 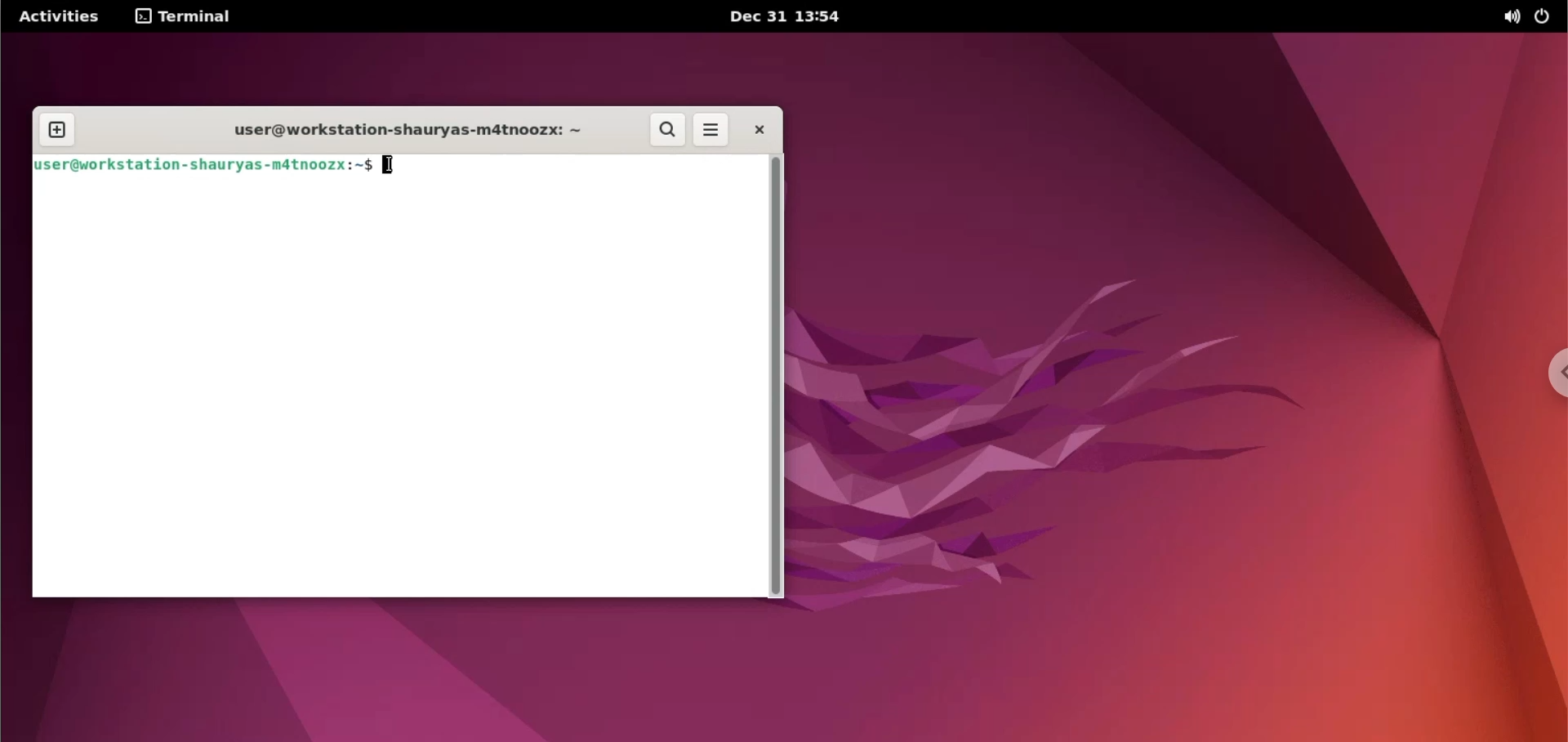 What do you see at coordinates (755, 131) in the screenshot?
I see `close` at bounding box center [755, 131].